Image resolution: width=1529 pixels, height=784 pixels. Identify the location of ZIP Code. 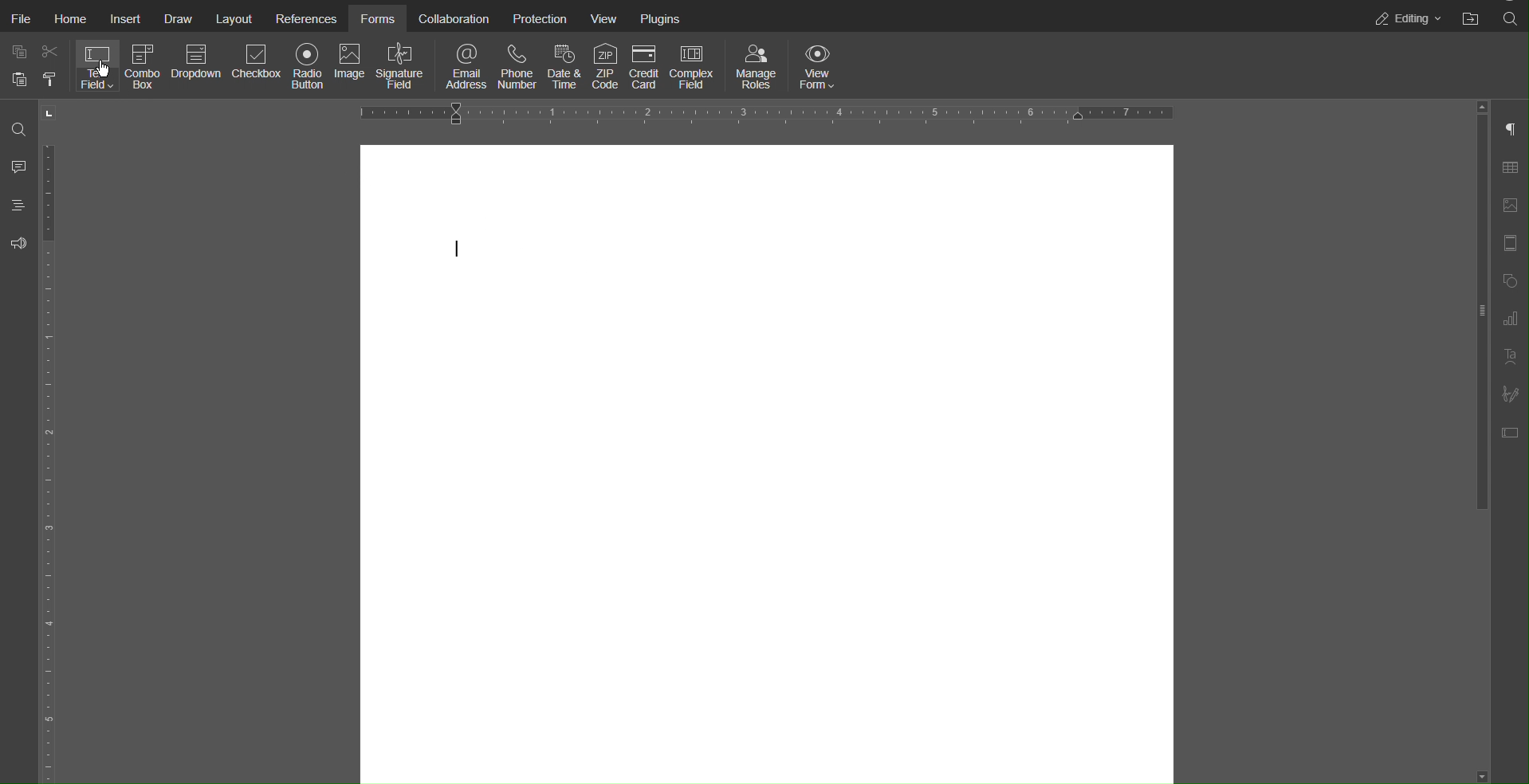
(605, 66).